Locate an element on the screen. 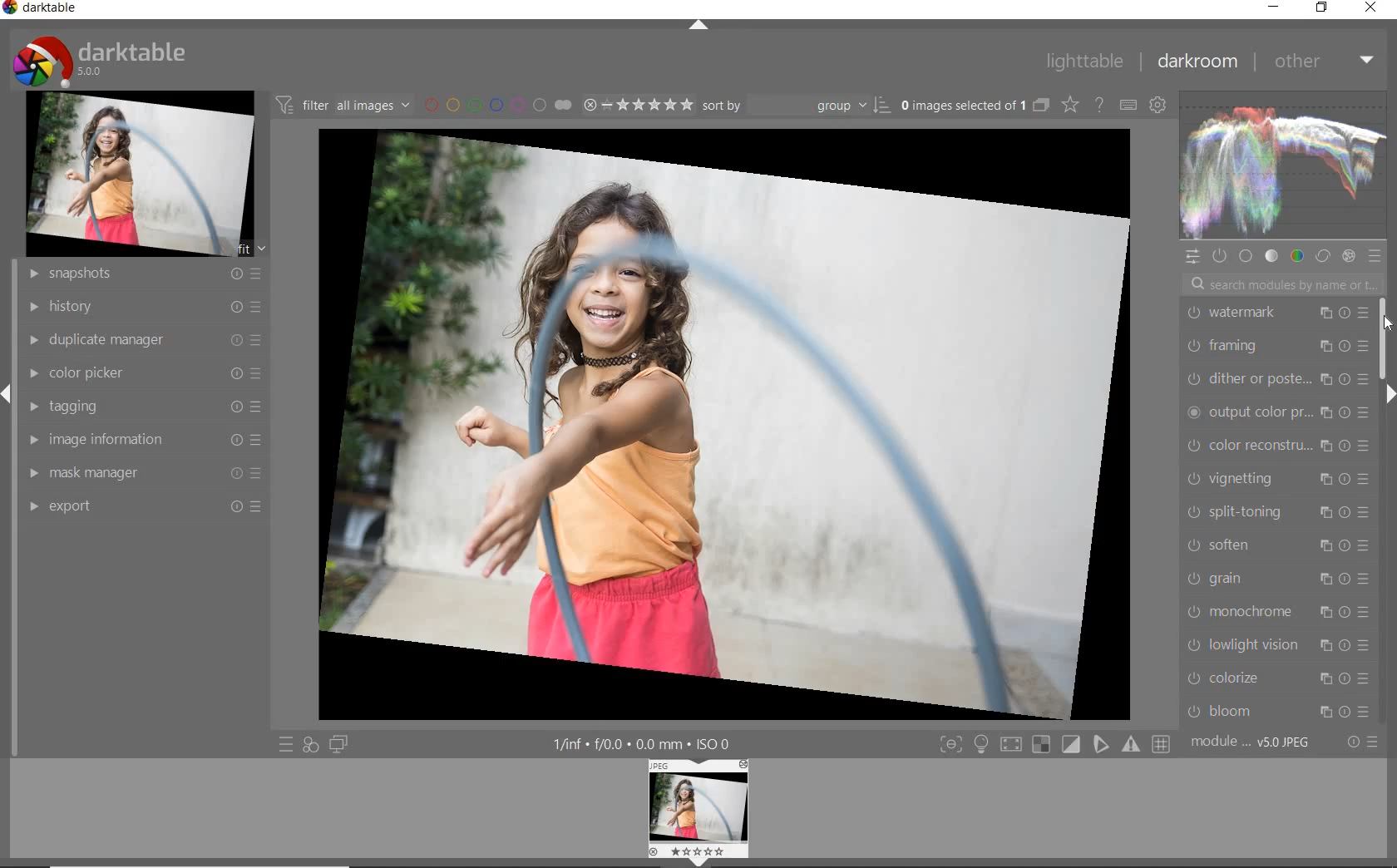  scrollbar is located at coordinates (1387, 337).